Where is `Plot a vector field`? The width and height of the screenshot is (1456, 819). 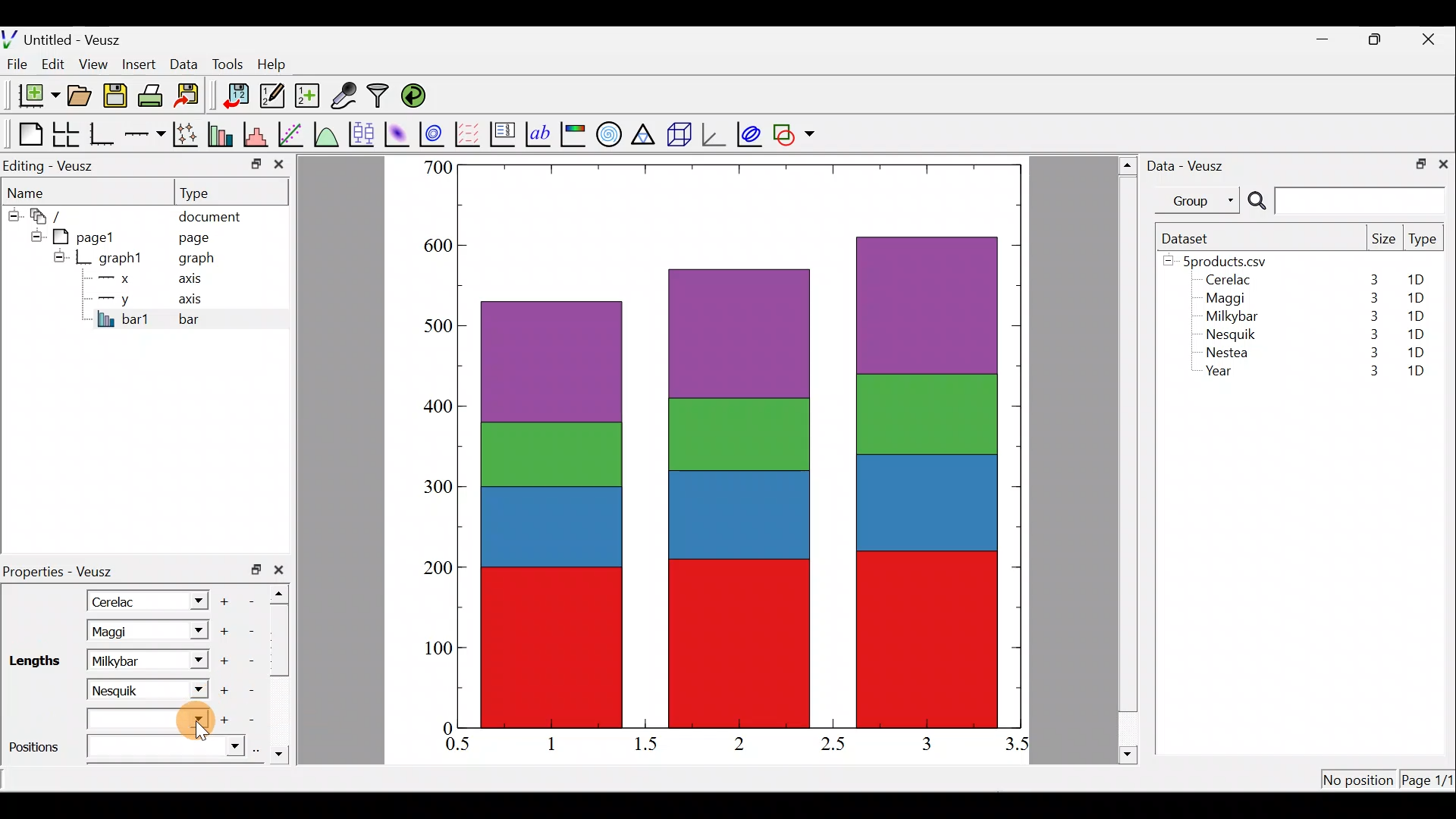 Plot a vector field is located at coordinates (470, 134).